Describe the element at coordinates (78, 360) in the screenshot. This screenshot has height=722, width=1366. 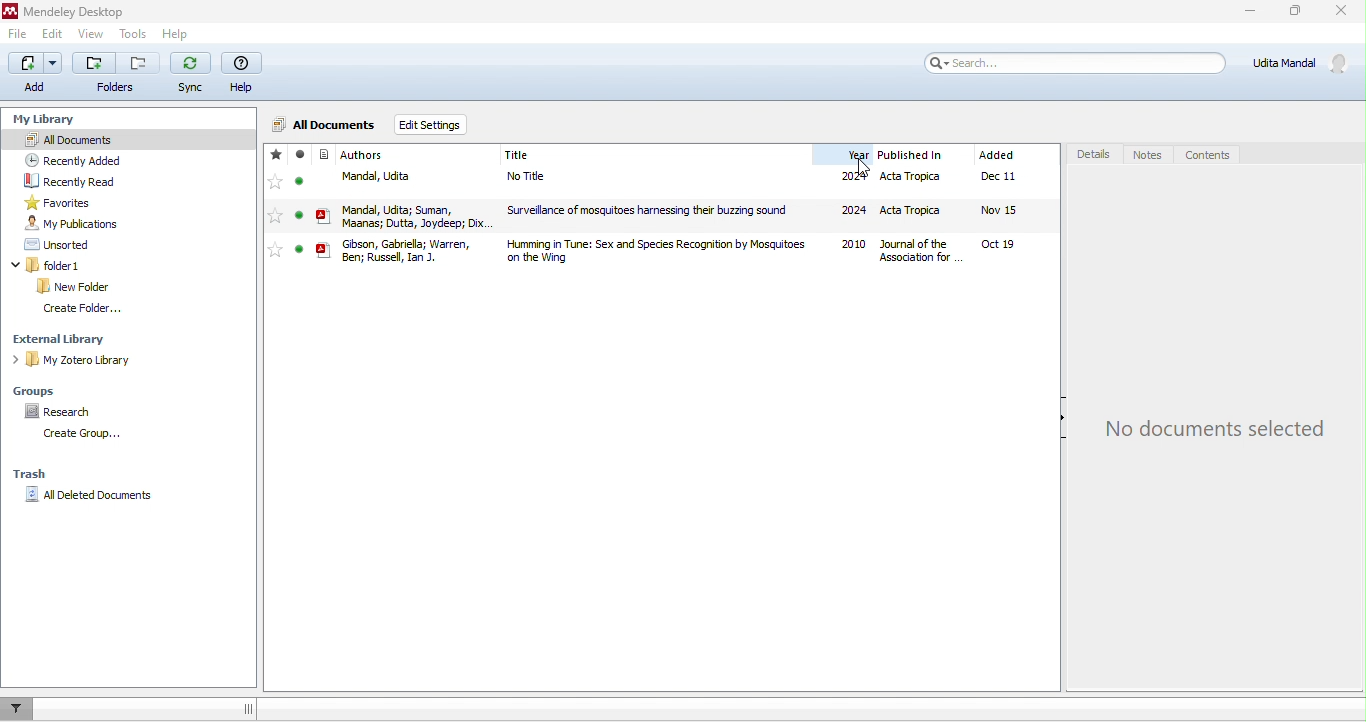
I see `my zotero library` at that location.